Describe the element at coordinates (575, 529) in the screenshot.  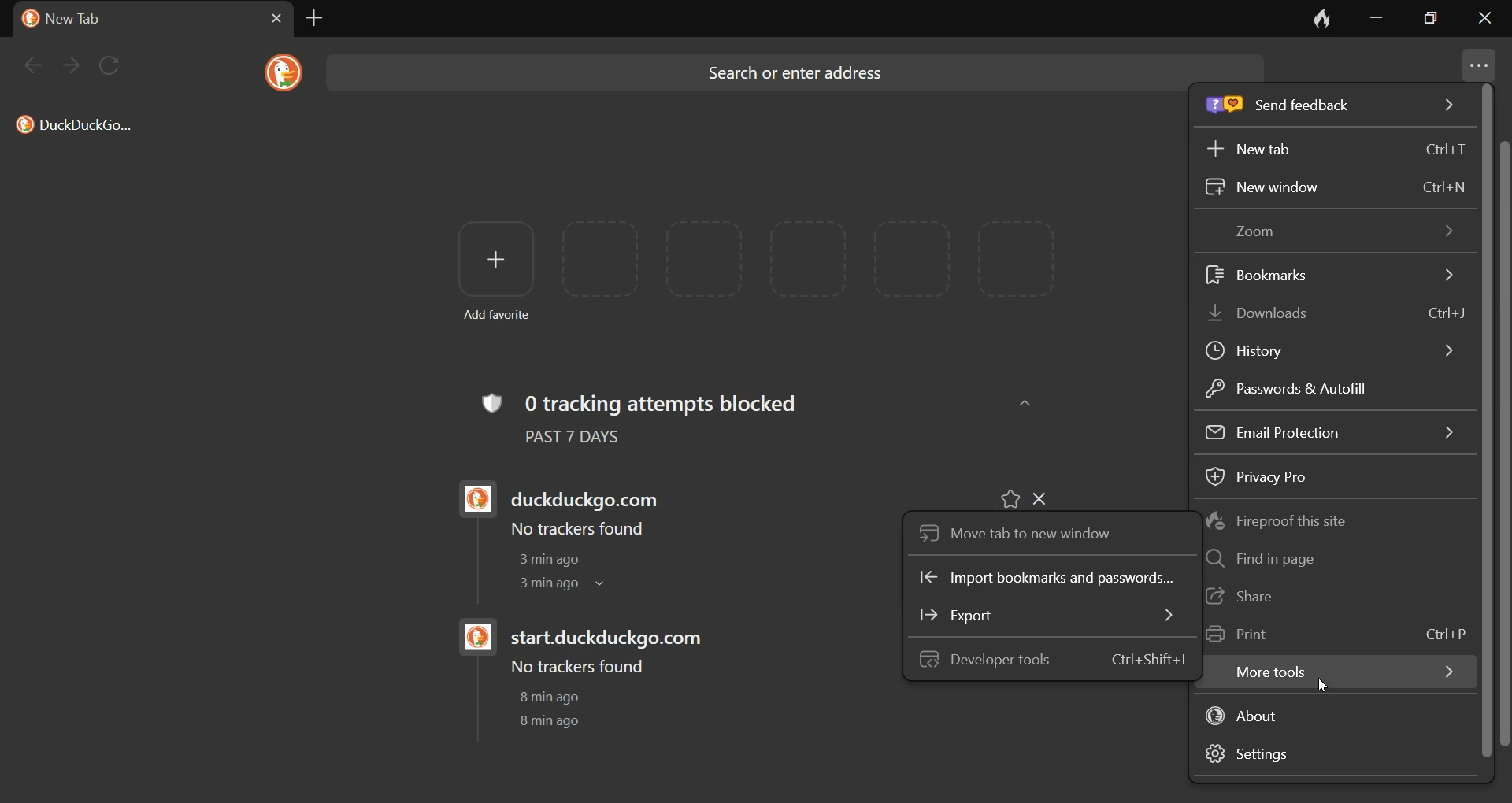
I see `No trackers found` at that location.